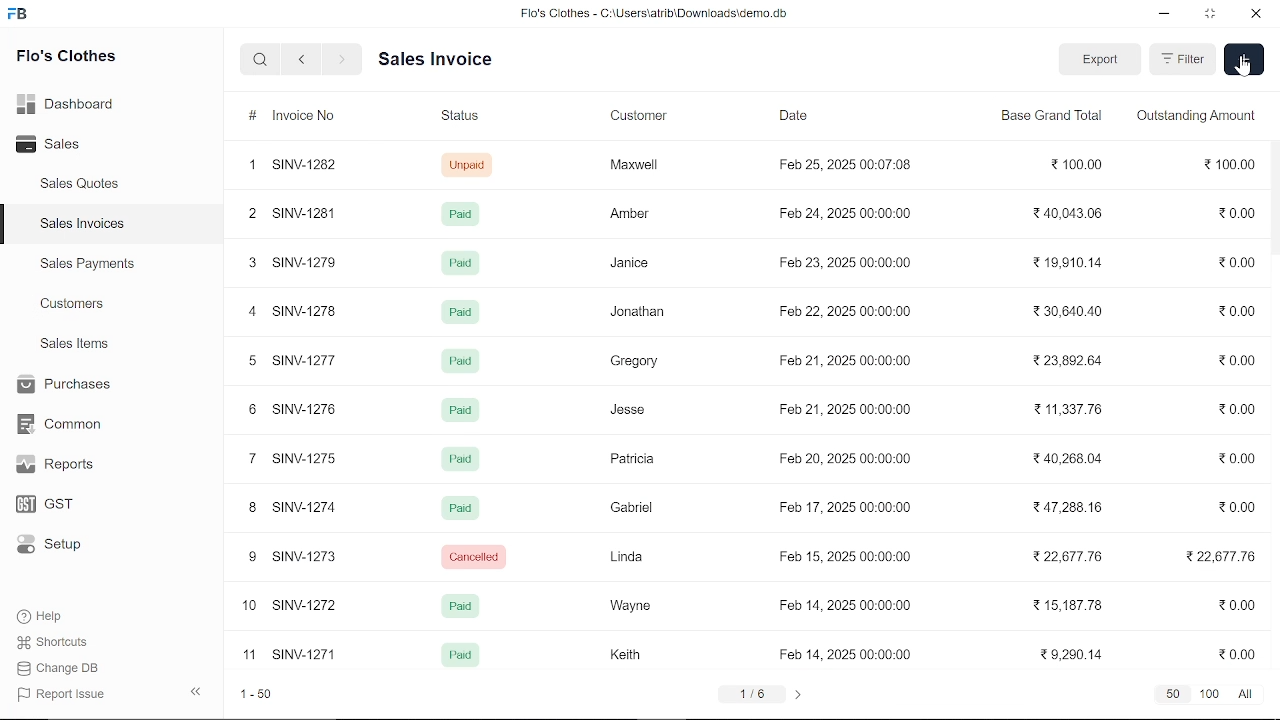 The image size is (1280, 720). Describe the element at coordinates (752, 696) in the screenshot. I see `1/6` at that location.